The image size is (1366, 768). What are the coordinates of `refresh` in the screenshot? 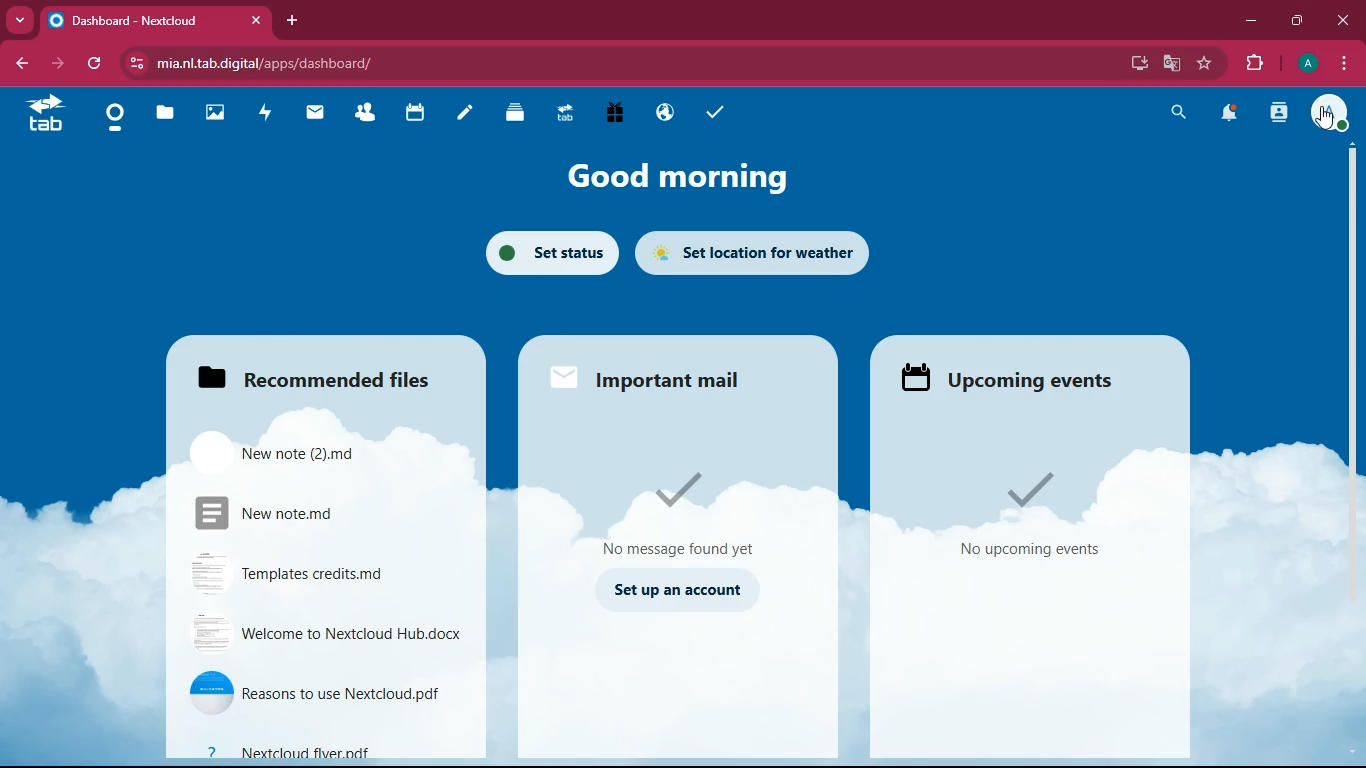 It's located at (91, 65).